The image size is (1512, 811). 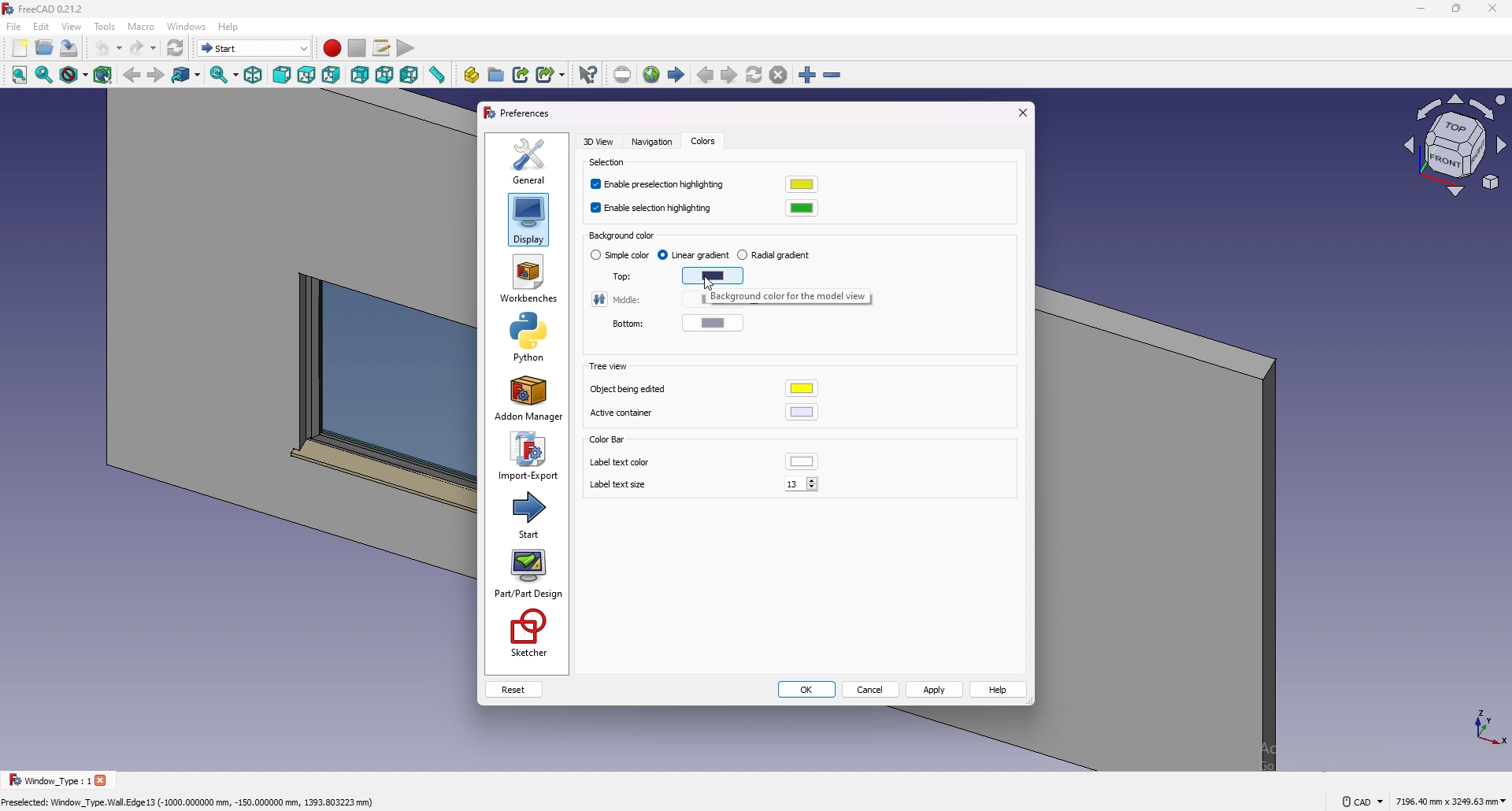 I want to click on workbenches, so click(x=528, y=279).